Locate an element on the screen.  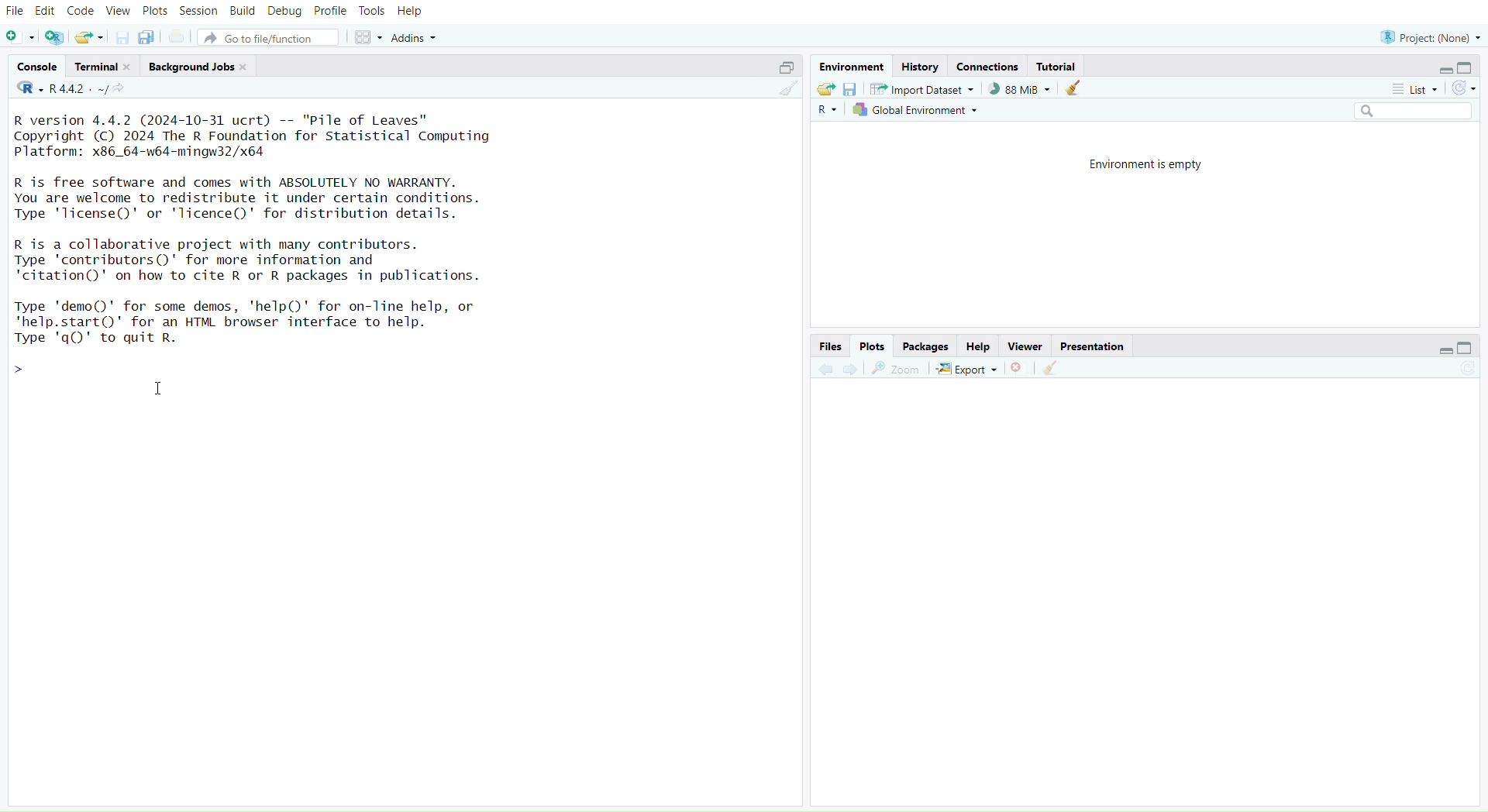
open an existing file is located at coordinates (88, 39).